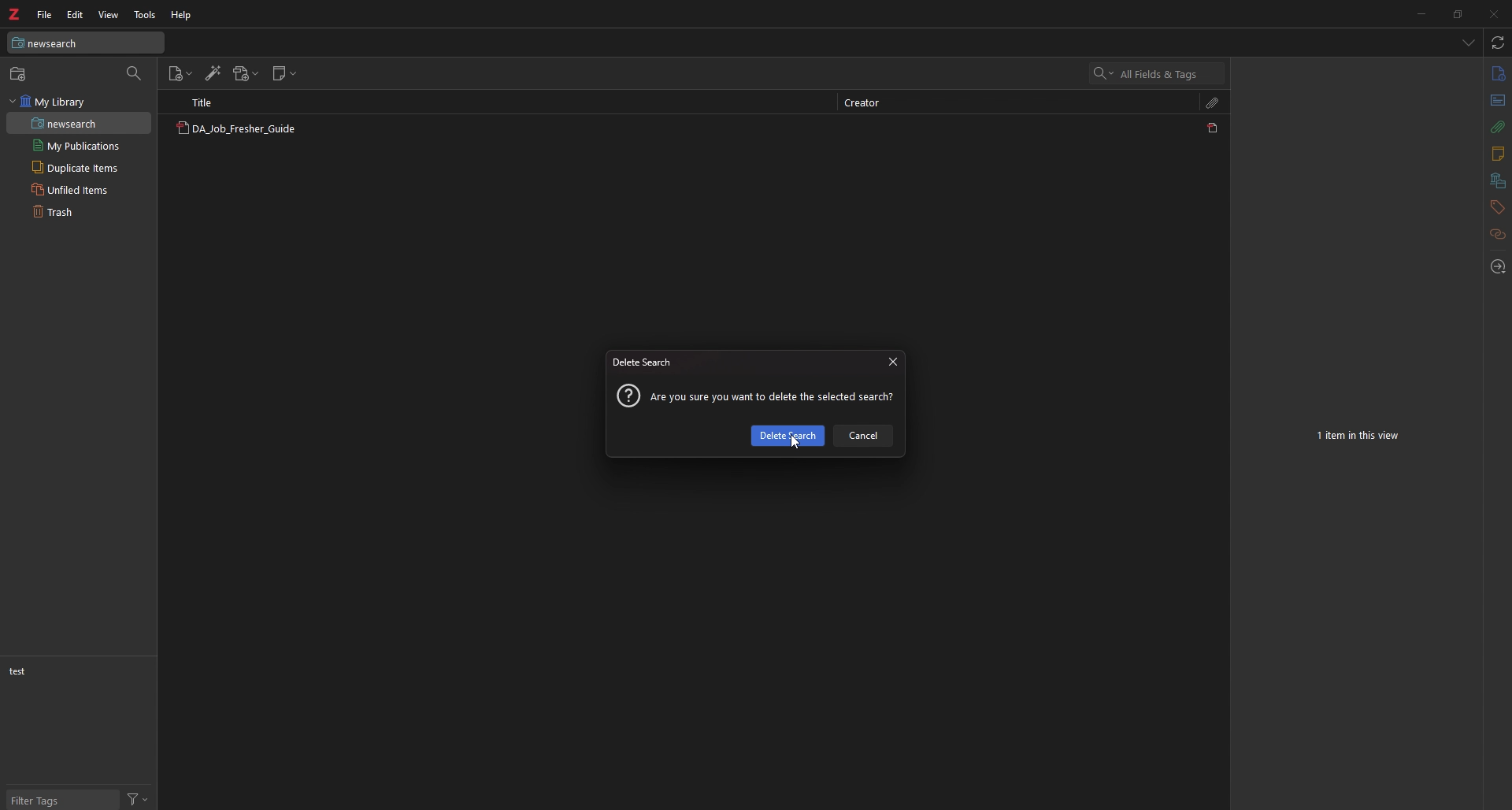 The width and height of the screenshot is (1512, 810). I want to click on Locate, so click(1501, 267).